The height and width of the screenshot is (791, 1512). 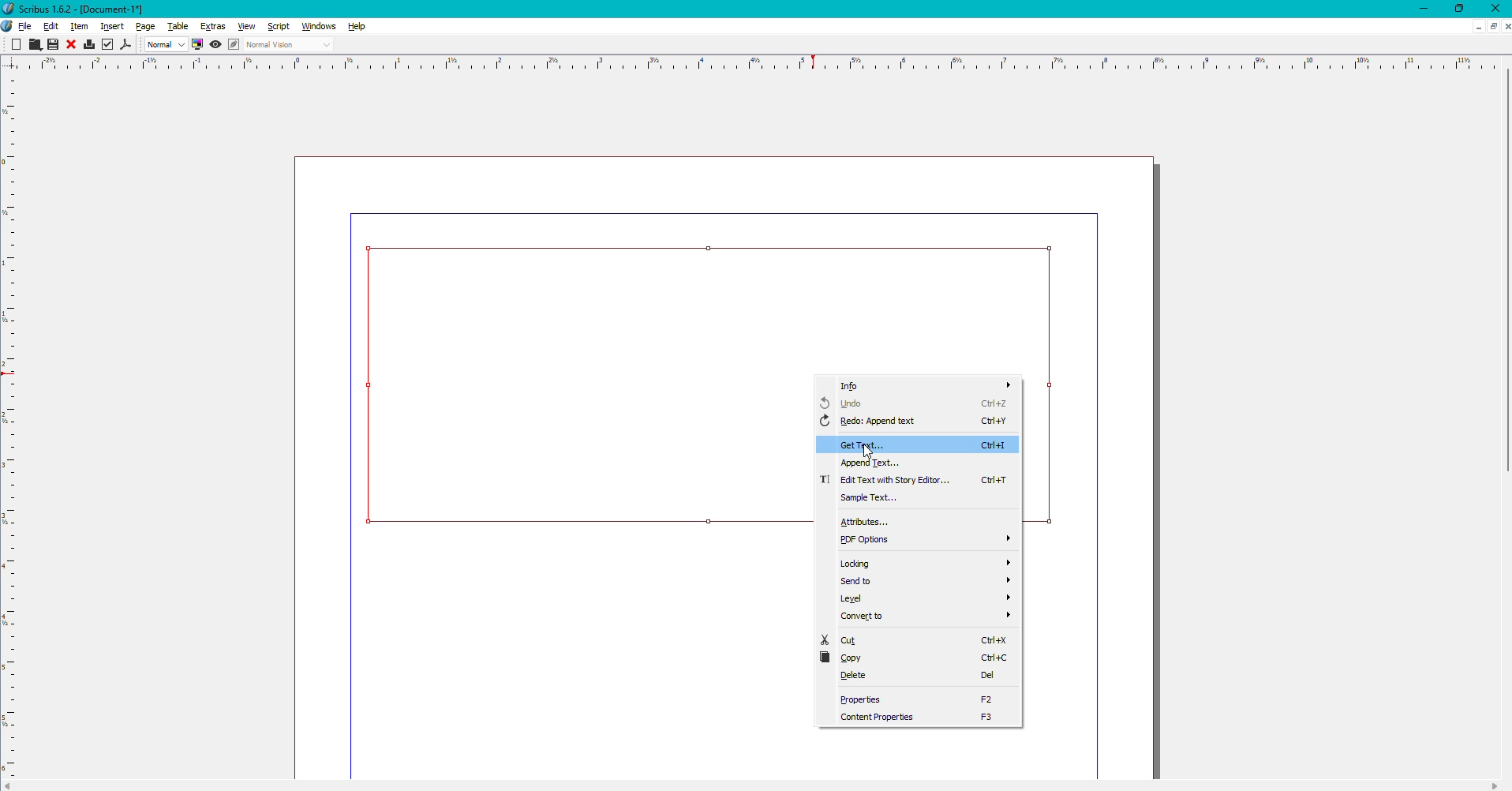 I want to click on Send to, so click(x=918, y=582).